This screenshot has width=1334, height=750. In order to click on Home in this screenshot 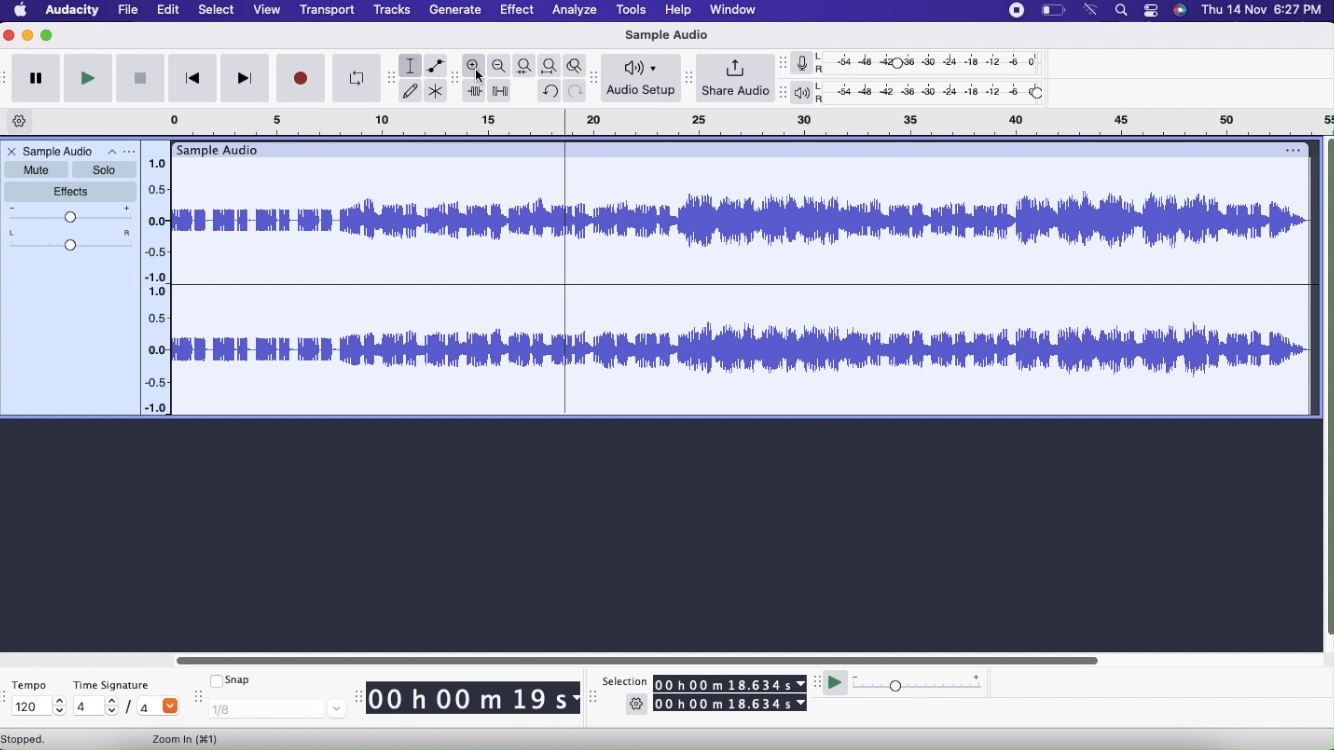, I will do `click(20, 11)`.